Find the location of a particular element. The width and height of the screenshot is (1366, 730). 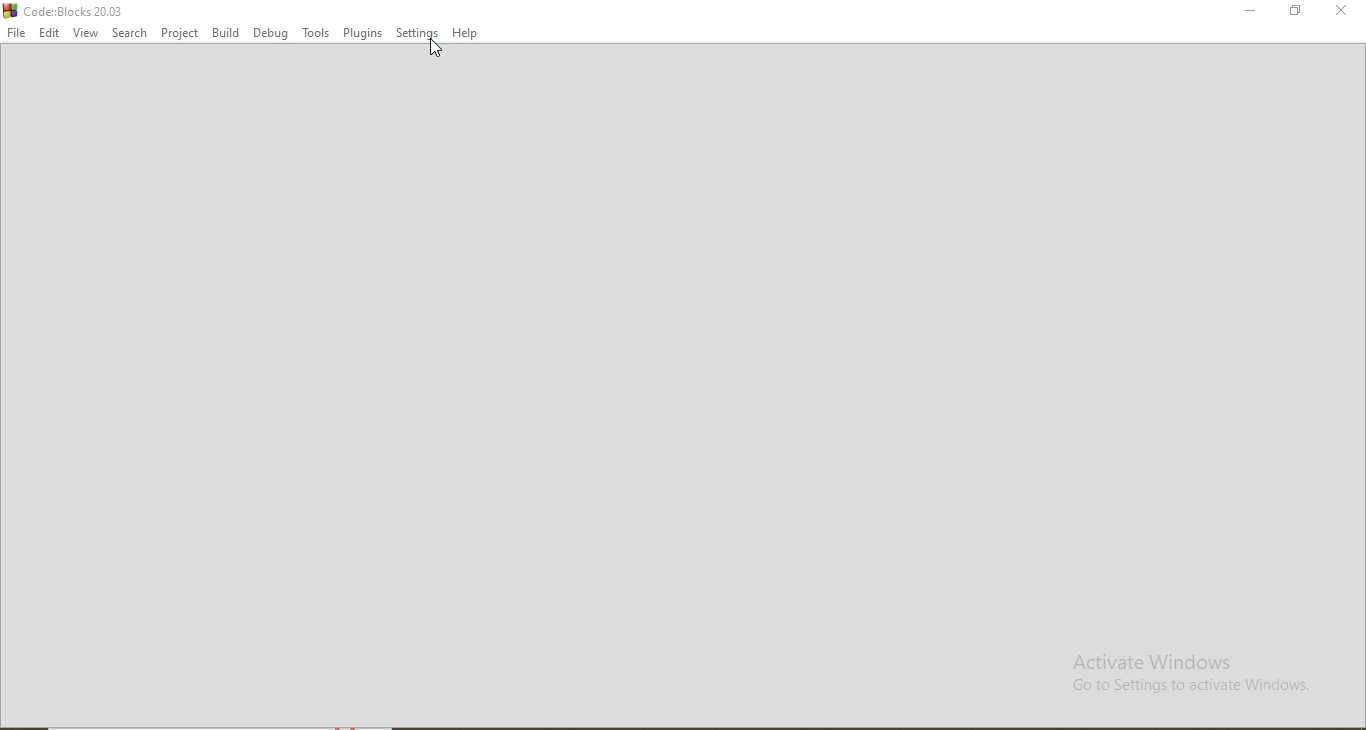

Project  is located at coordinates (180, 30).